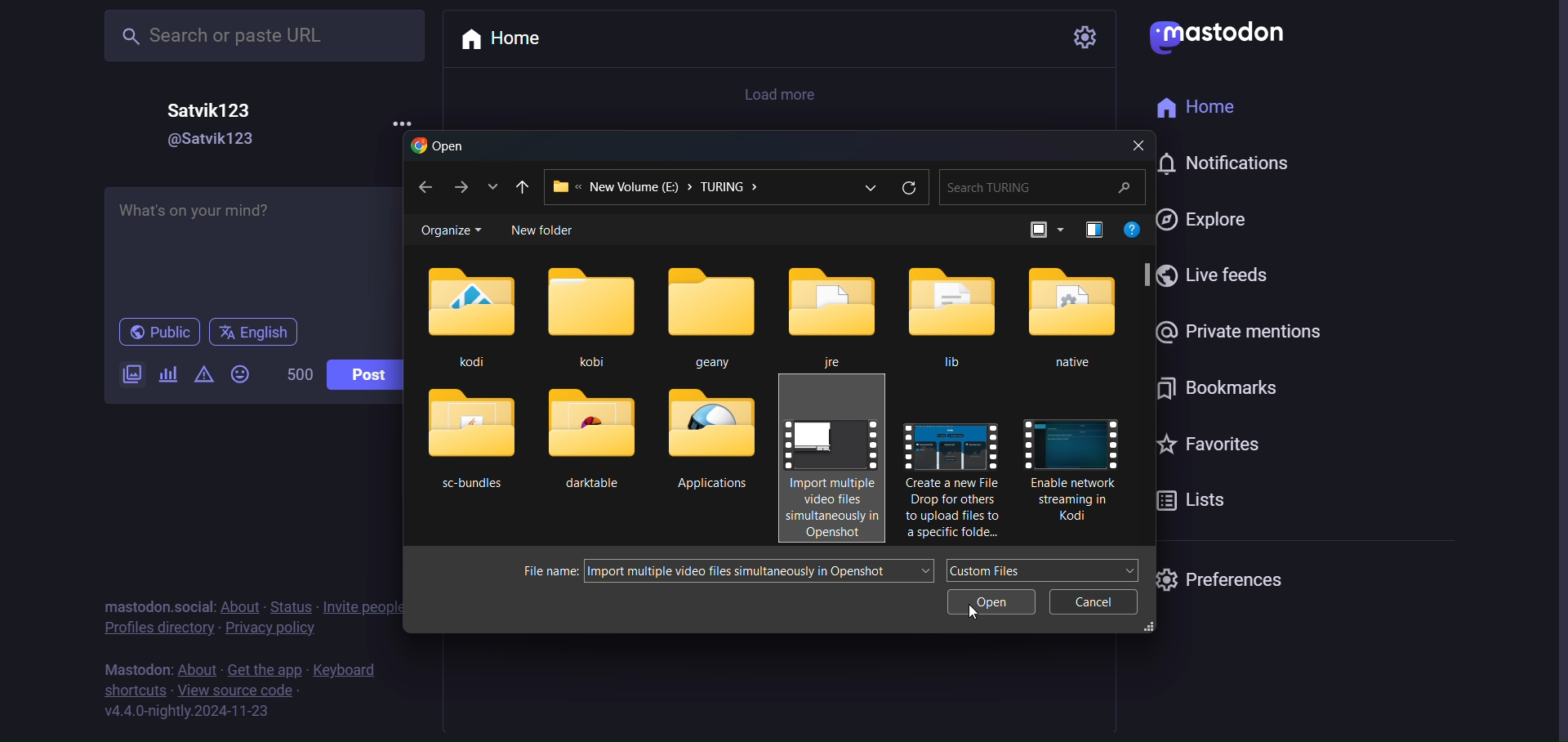 This screenshot has height=742, width=1568. Describe the element at coordinates (1148, 274) in the screenshot. I see `scroll bar` at that location.